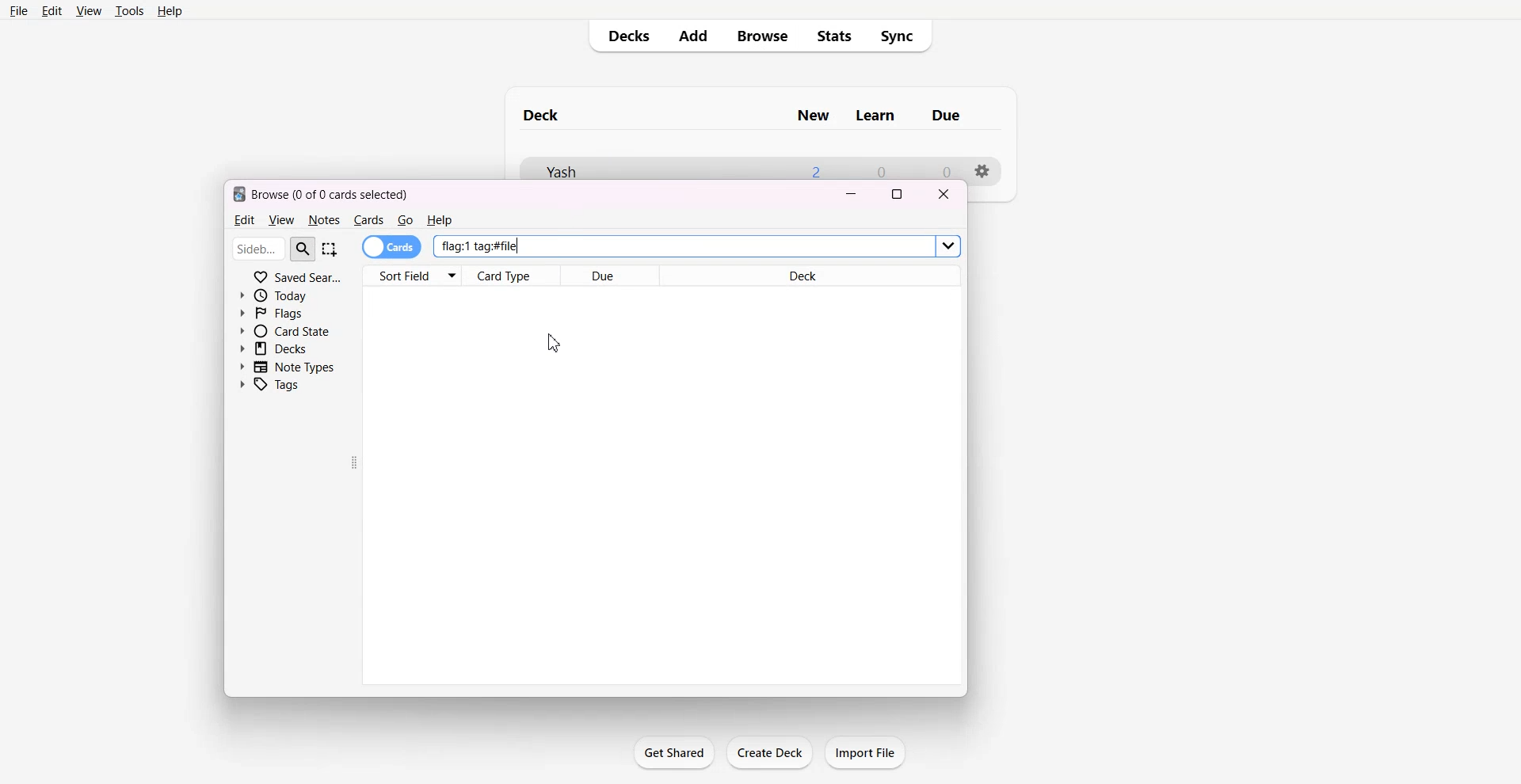  Describe the element at coordinates (406, 220) in the screenshot. I see `Go` at that location.